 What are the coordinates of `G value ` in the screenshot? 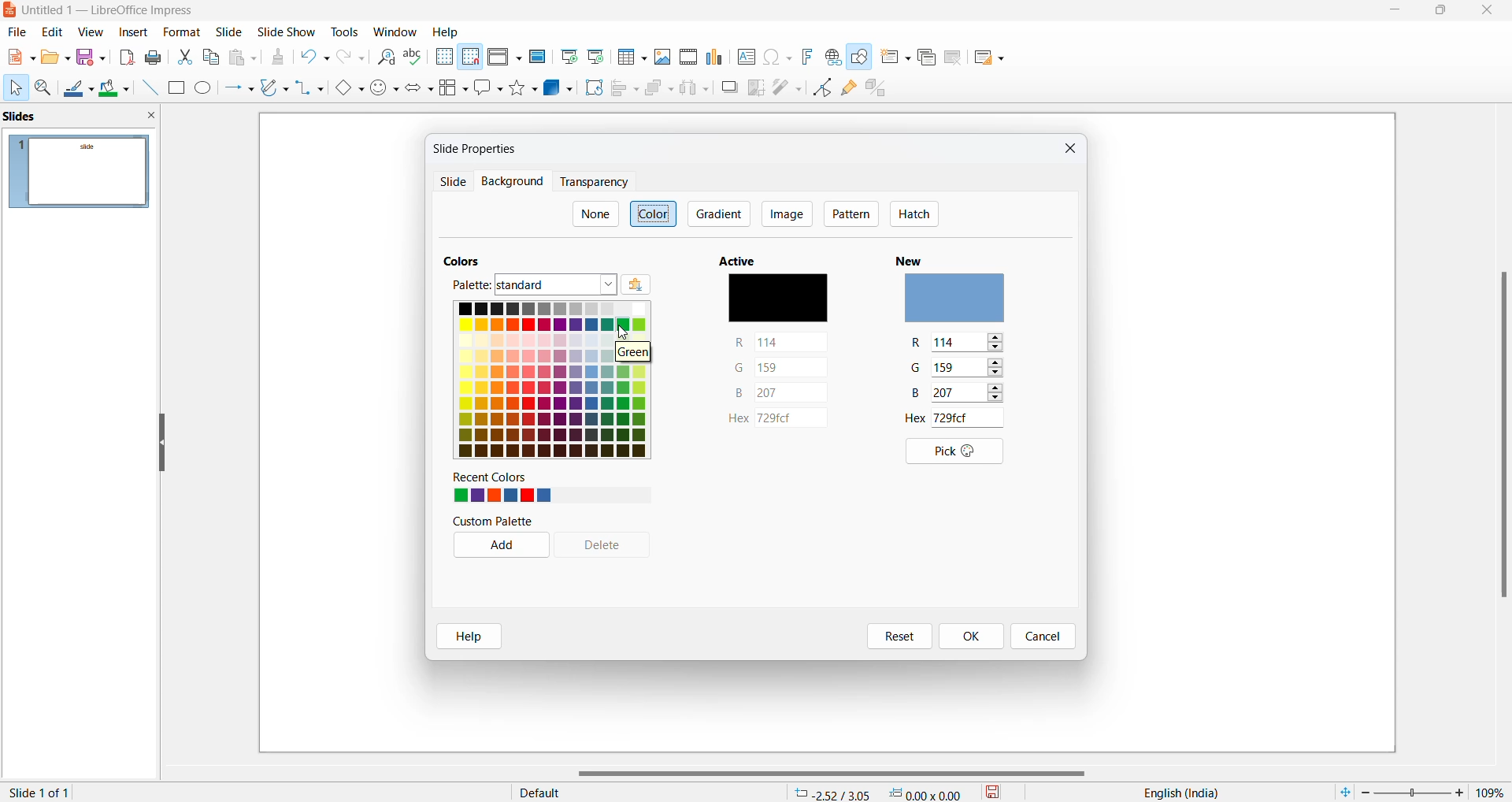 It's located at (955, 367).